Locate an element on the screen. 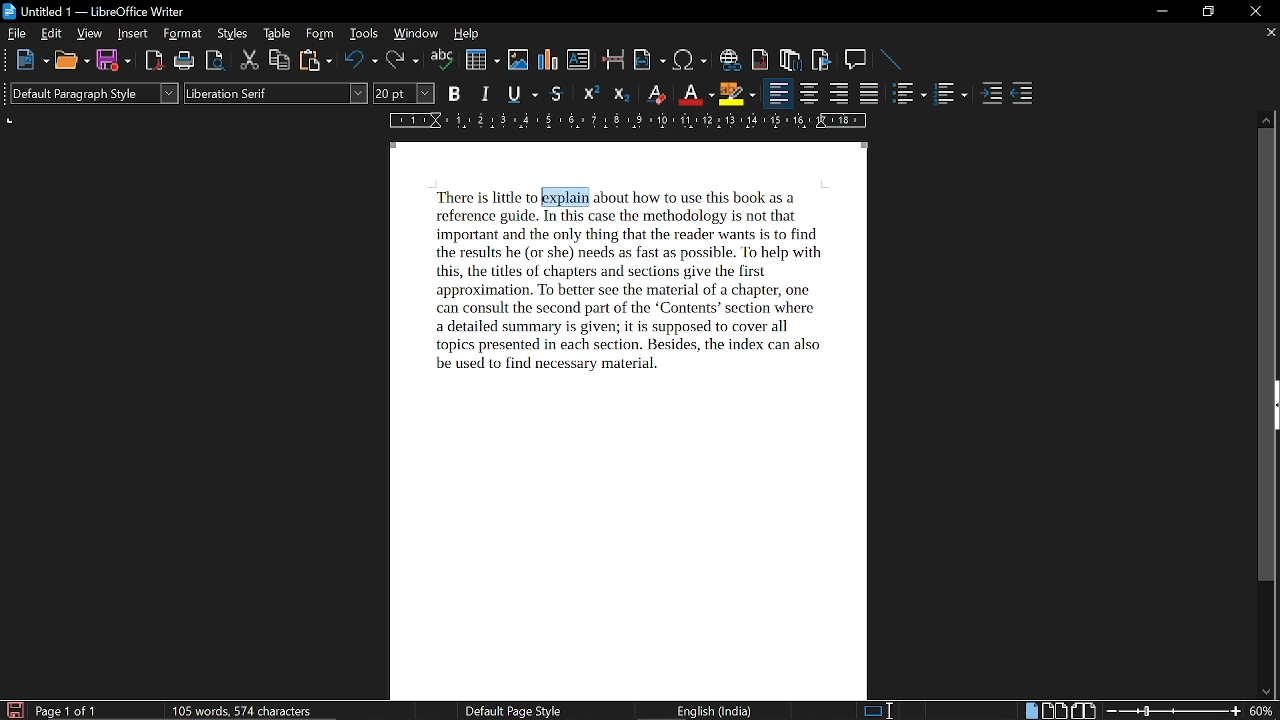 The width and height of the screenshot is (1280, 720). export as pdf is located at coordinates (156, 61).